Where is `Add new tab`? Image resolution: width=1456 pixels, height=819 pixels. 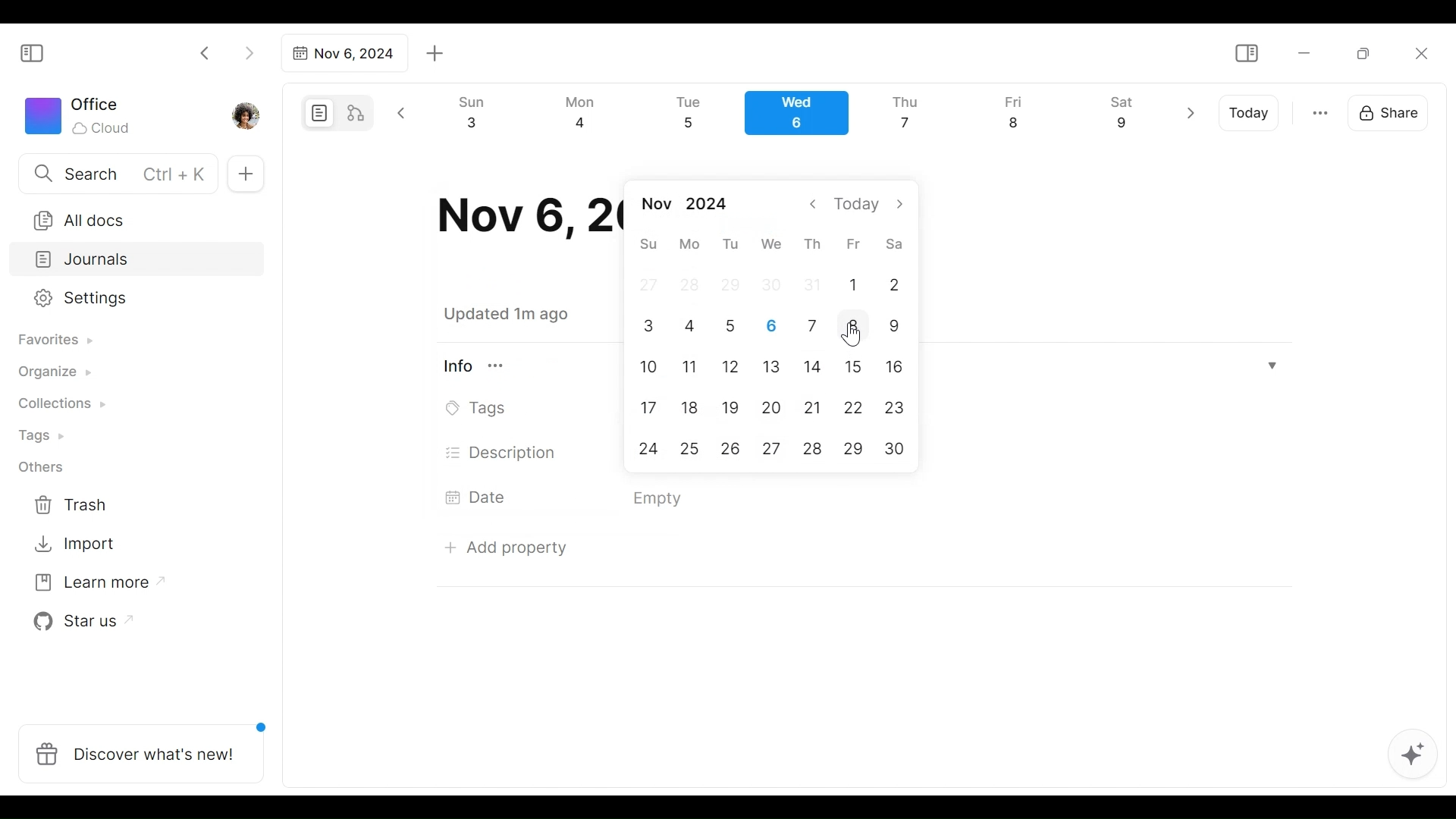
Add new tab is located at coordinates (435, 54).